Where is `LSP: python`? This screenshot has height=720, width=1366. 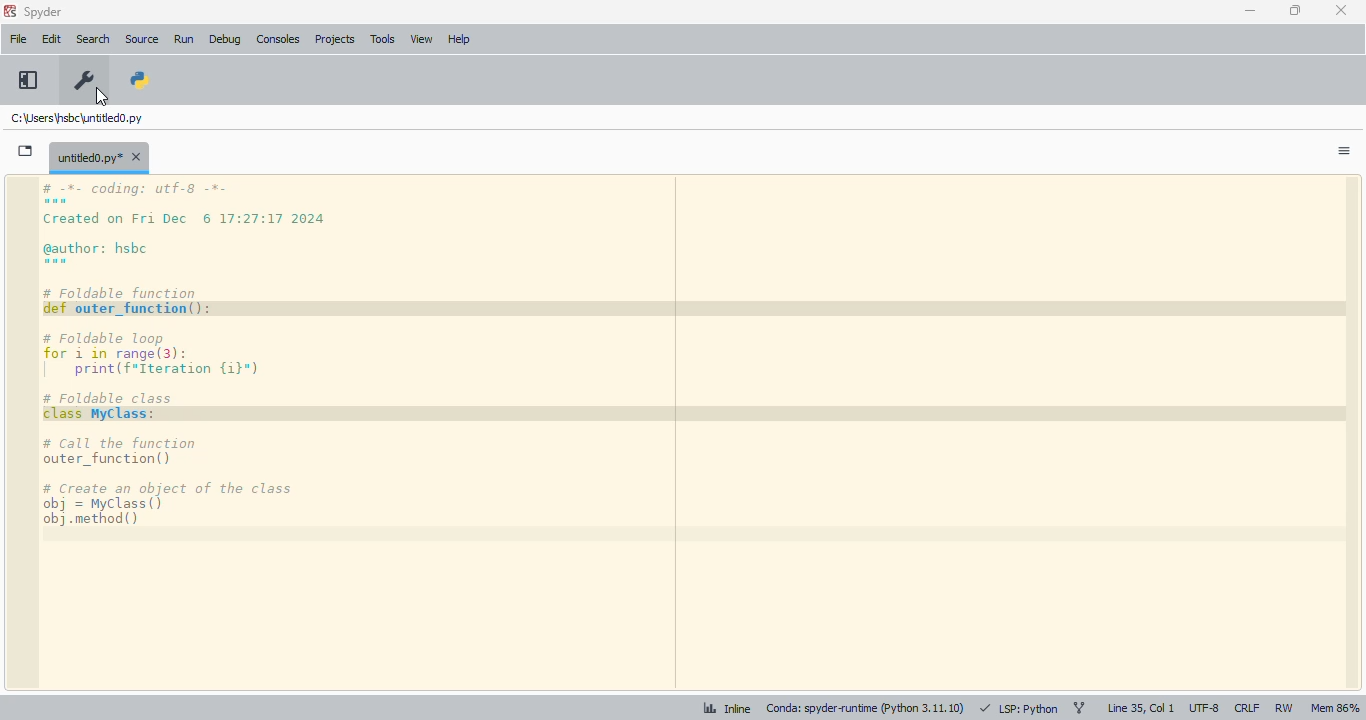
LSP: python is located at coordinates (1019, 708).